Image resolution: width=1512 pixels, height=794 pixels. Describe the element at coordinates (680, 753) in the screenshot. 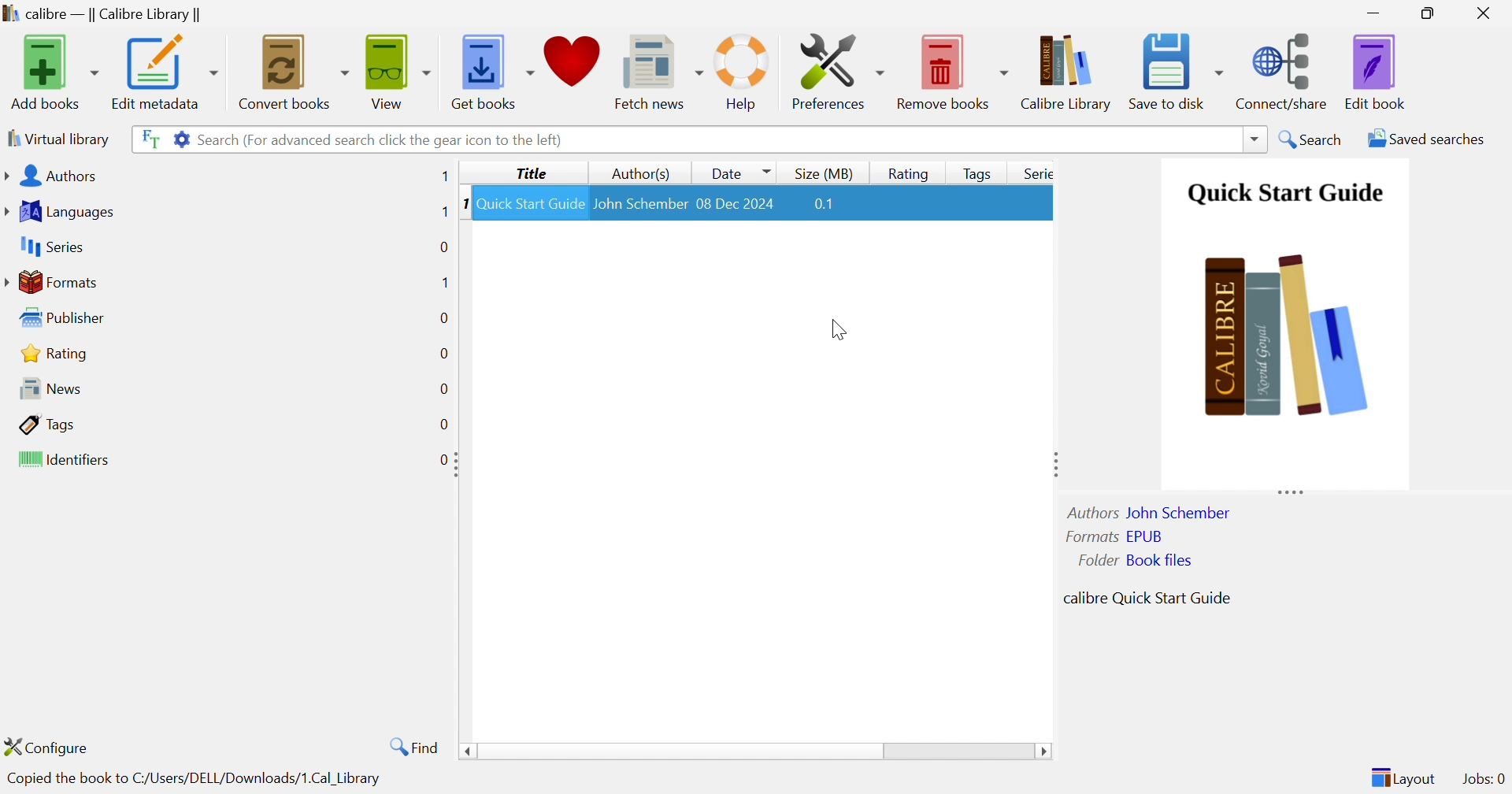

I see `Drop Down` at that location.